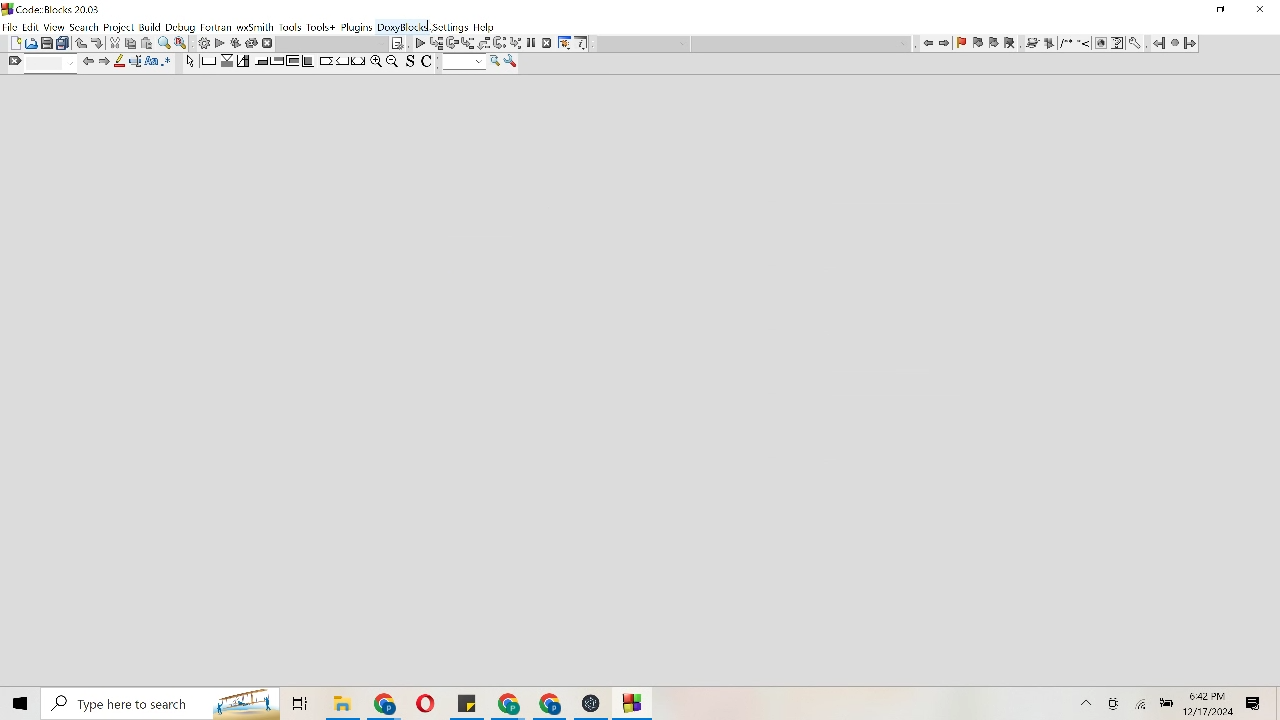  I want to click on Print and duplicate, so click(56, 42).